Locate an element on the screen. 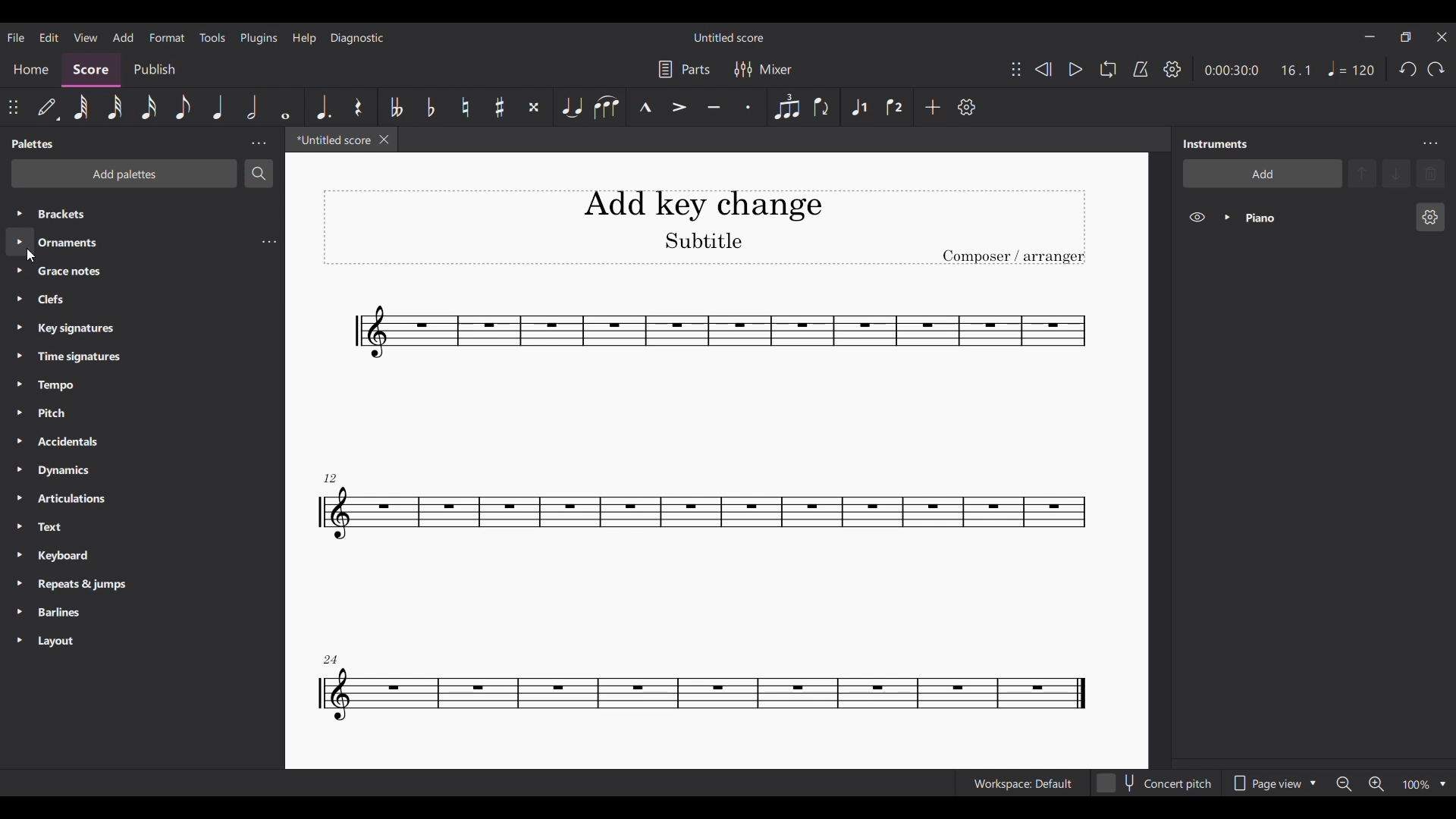  Diagnostic menu is located at coordinates (357, 38).